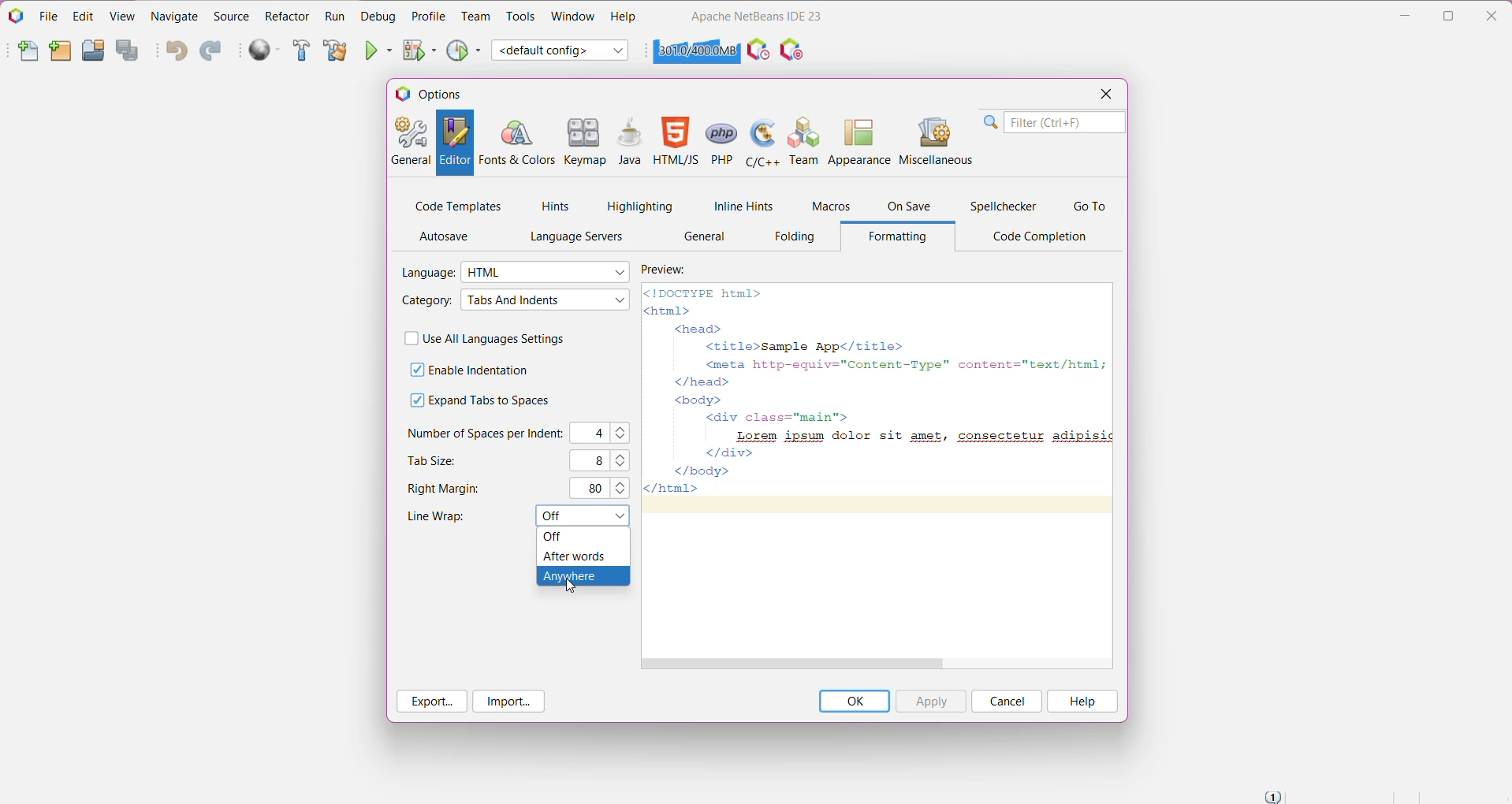 The image size is (1512, 804). I want to click on Right Margins, so click(449, 489).